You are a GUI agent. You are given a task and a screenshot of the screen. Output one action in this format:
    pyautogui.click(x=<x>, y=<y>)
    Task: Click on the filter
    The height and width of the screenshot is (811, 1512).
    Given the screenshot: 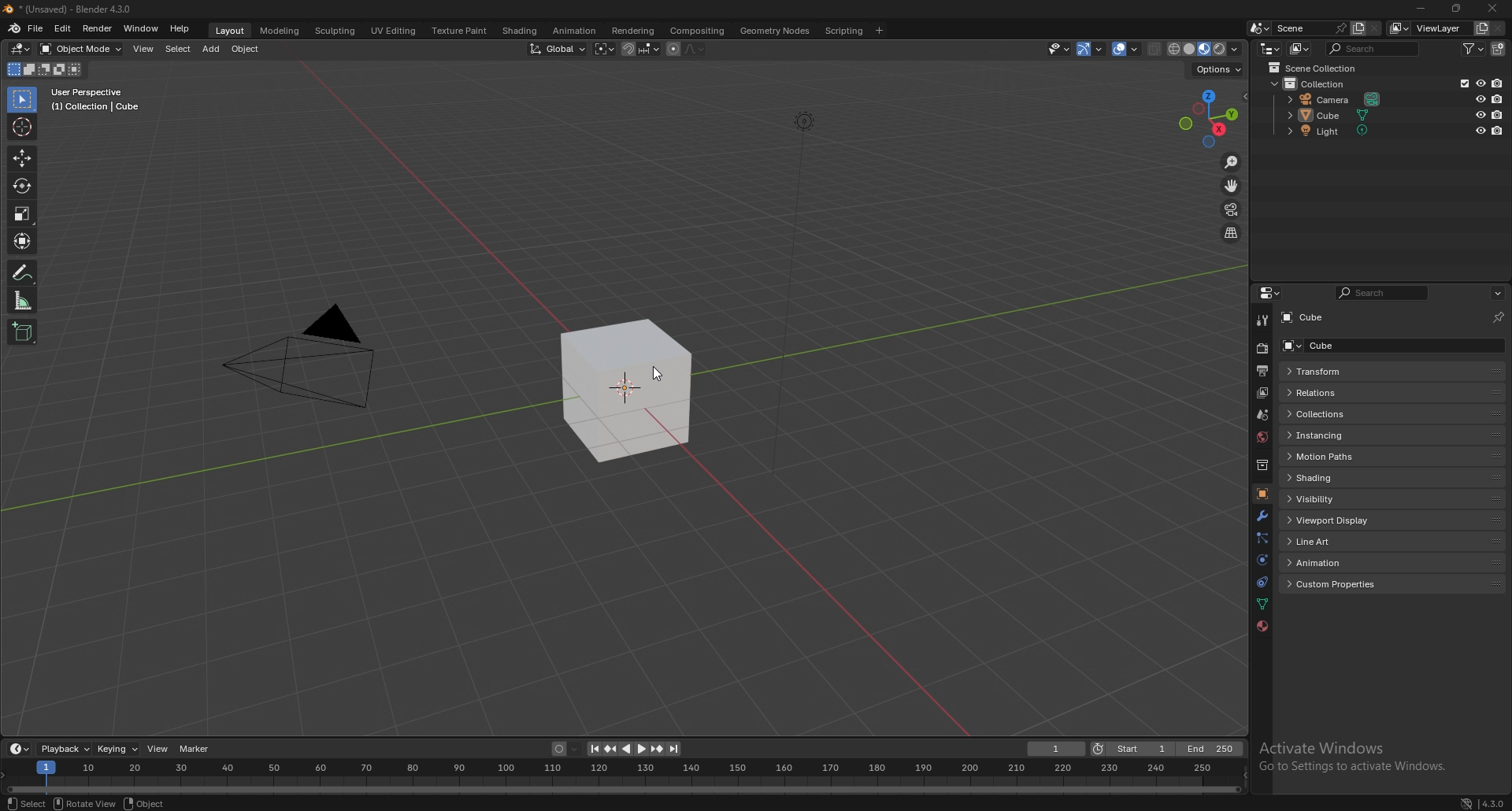 What is the action you would take?
    pyautogui.click(x=1476, y=48)
    